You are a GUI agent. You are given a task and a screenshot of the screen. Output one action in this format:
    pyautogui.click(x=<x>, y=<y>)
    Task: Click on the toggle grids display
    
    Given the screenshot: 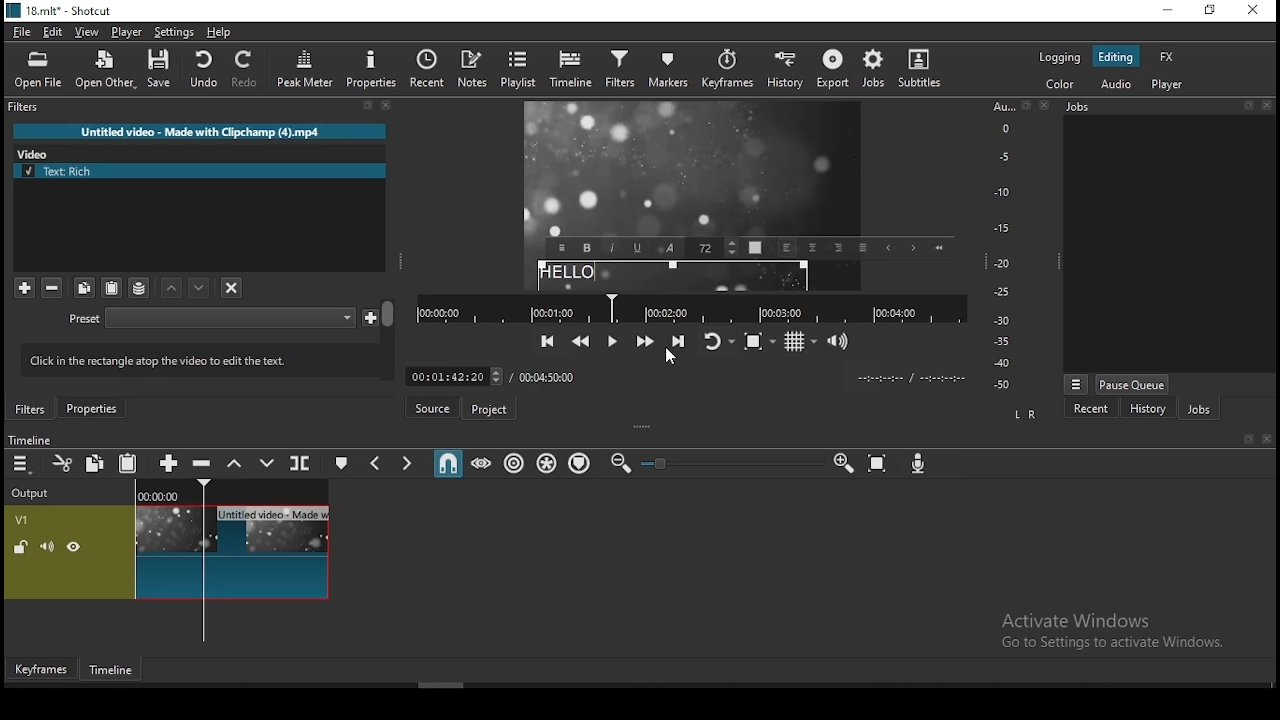 What is the action you would take?
    pyautogui.click(x=799, y=342)
    